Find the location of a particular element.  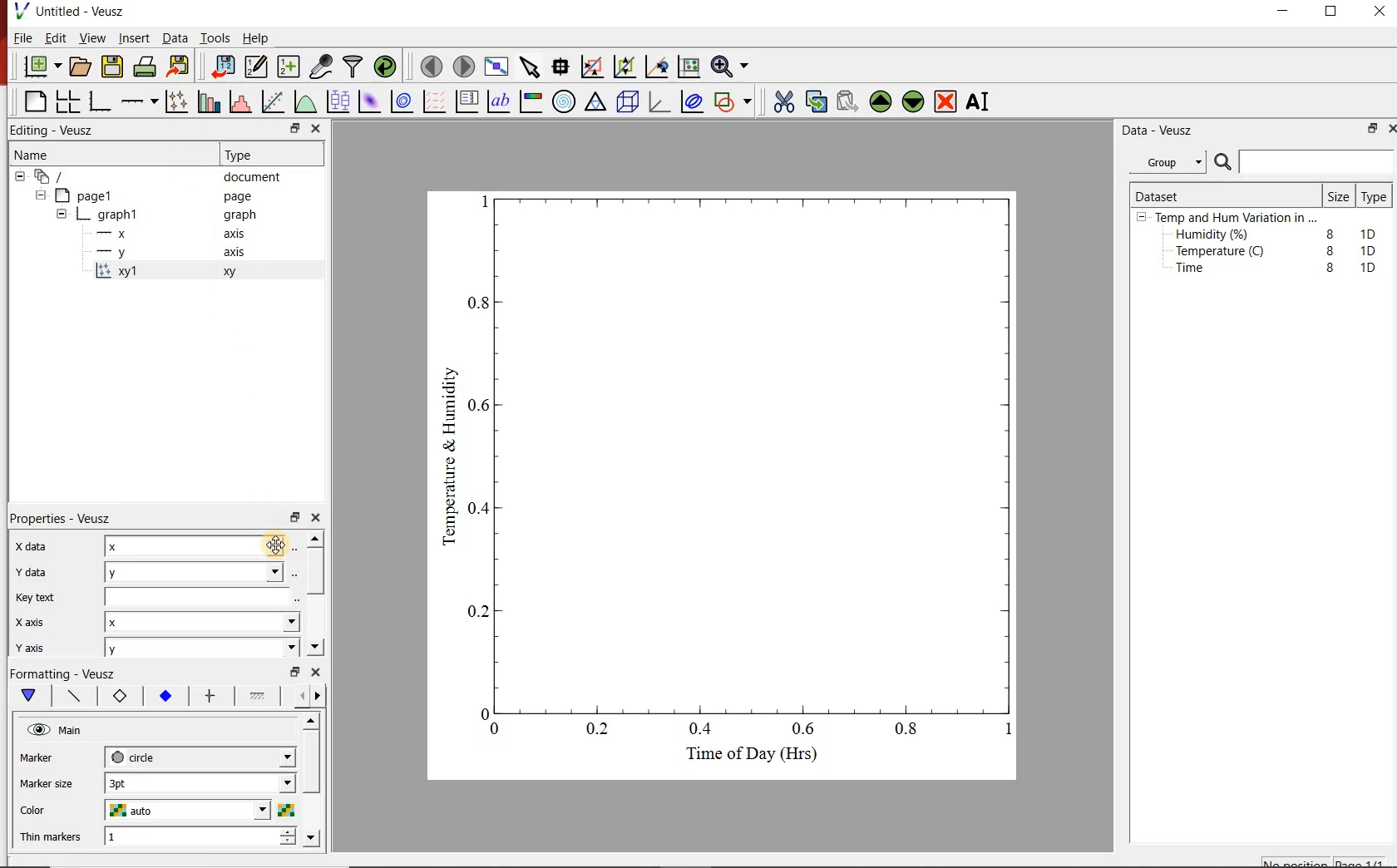

page is located at coordinates (241, 197).